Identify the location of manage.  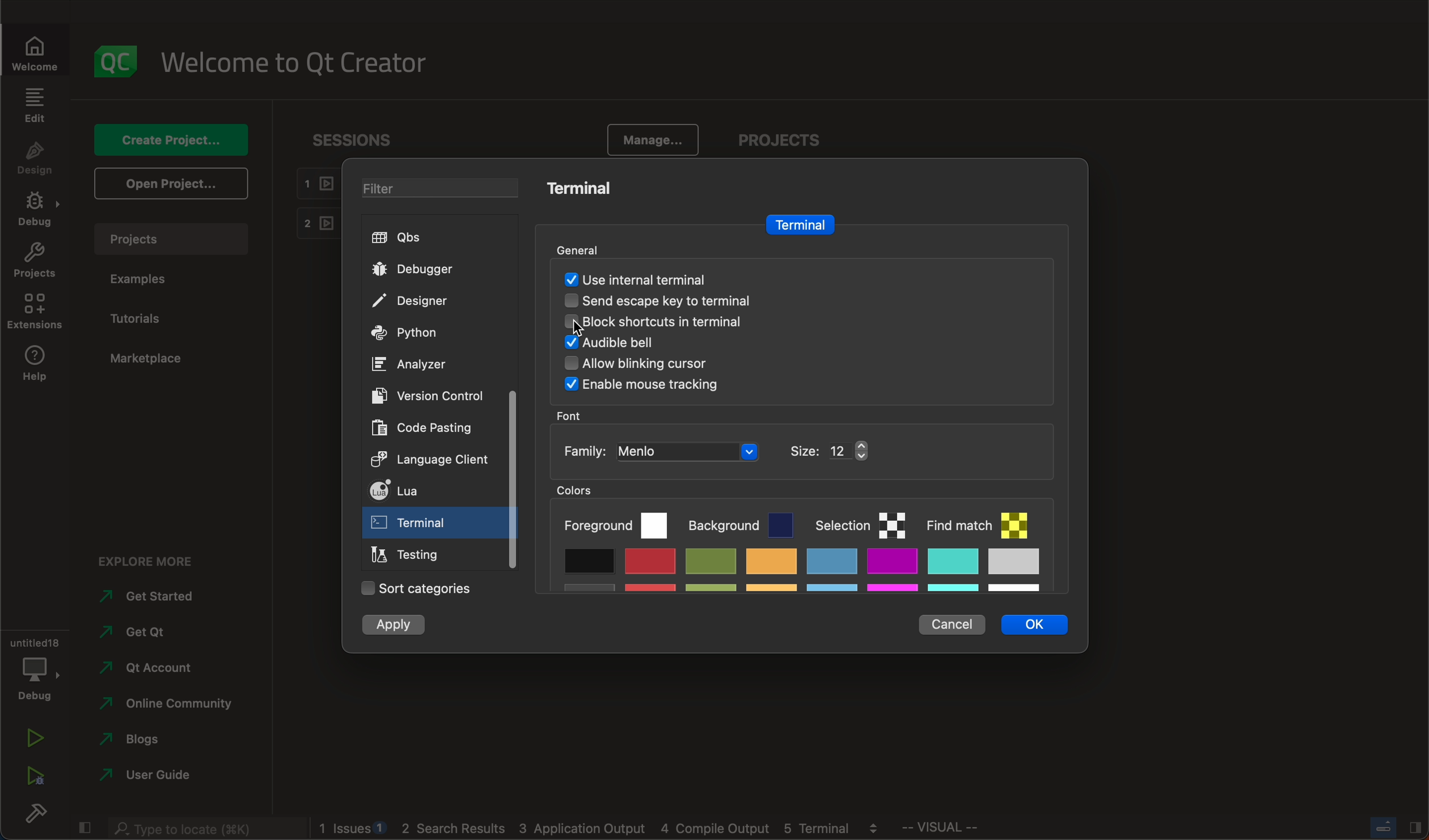
(653, 137).